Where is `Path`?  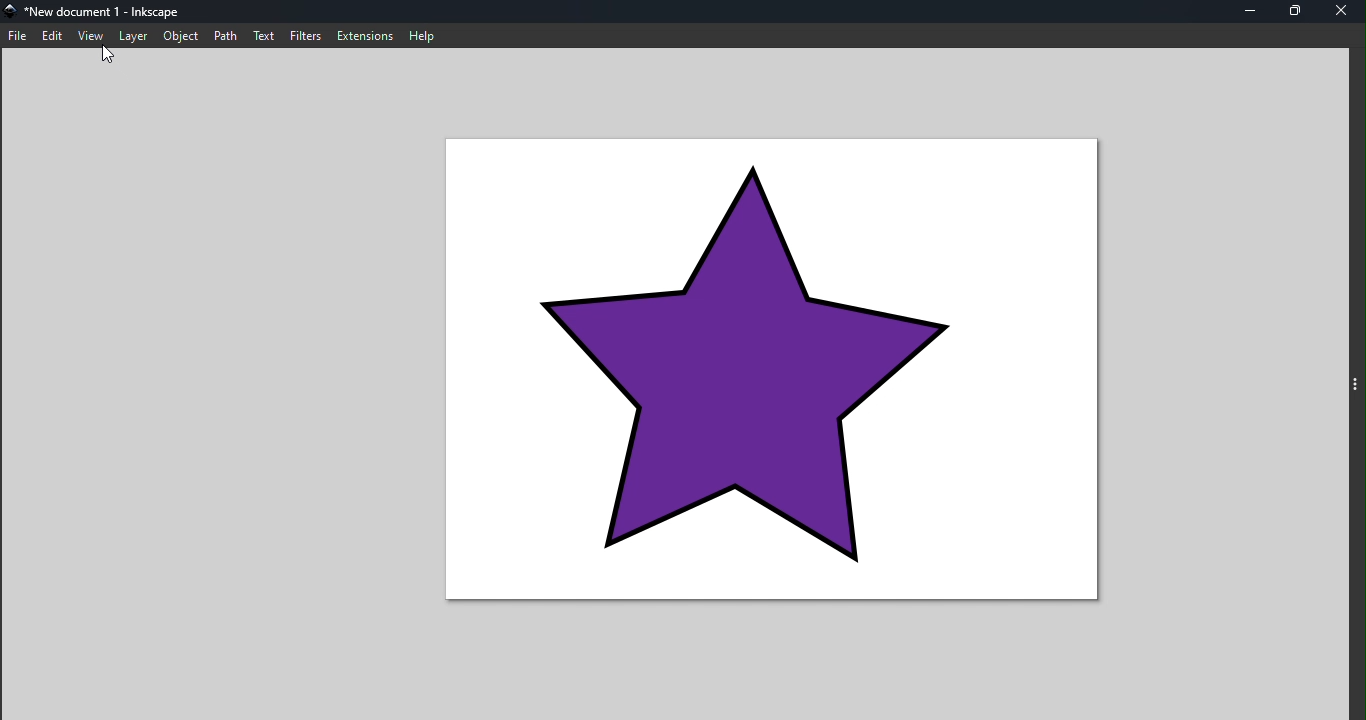
Path is located at coordinates (224, 33).